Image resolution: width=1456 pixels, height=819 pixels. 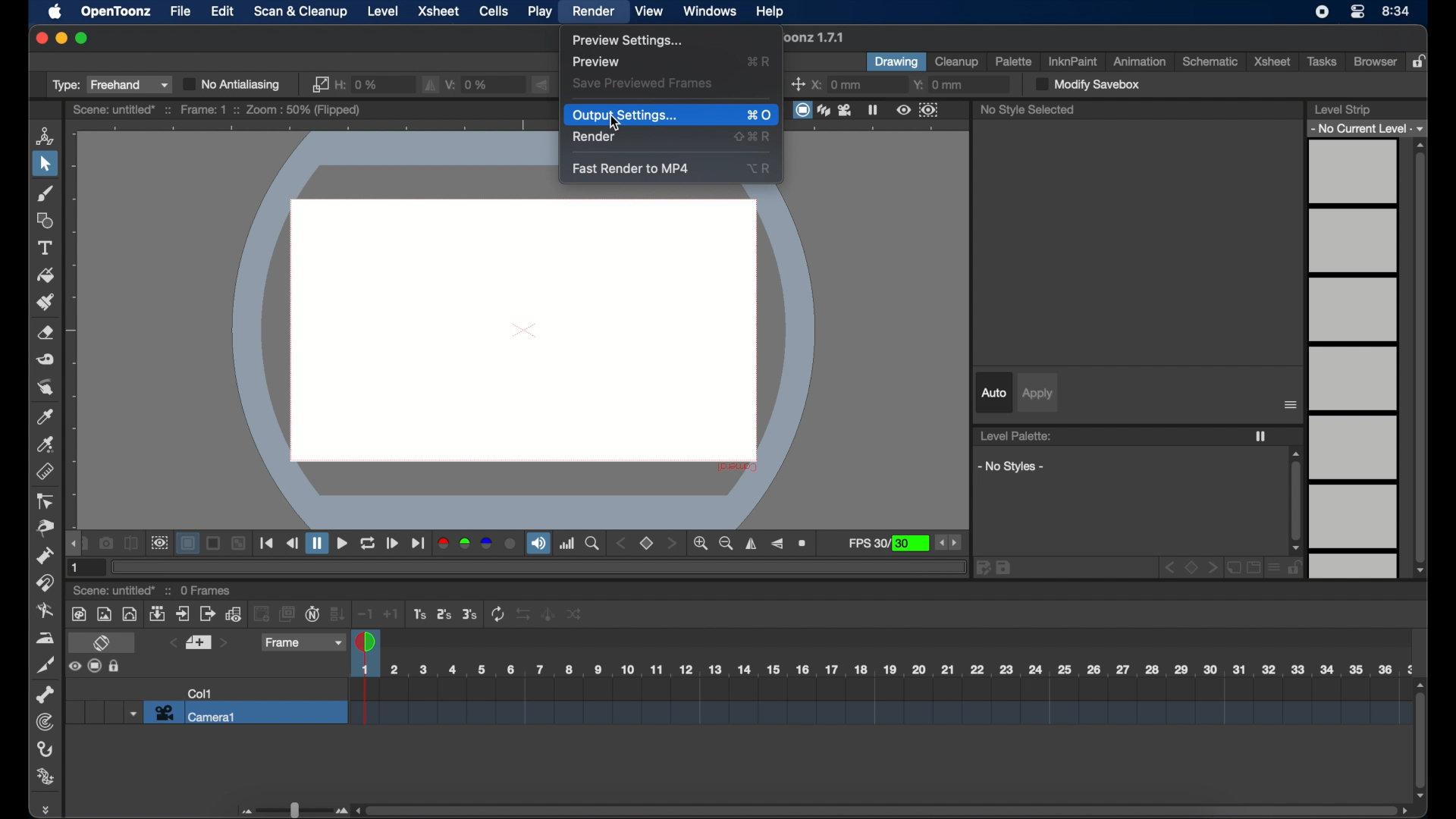 I want to click on flip horizontally, so click(x=752, y=544).